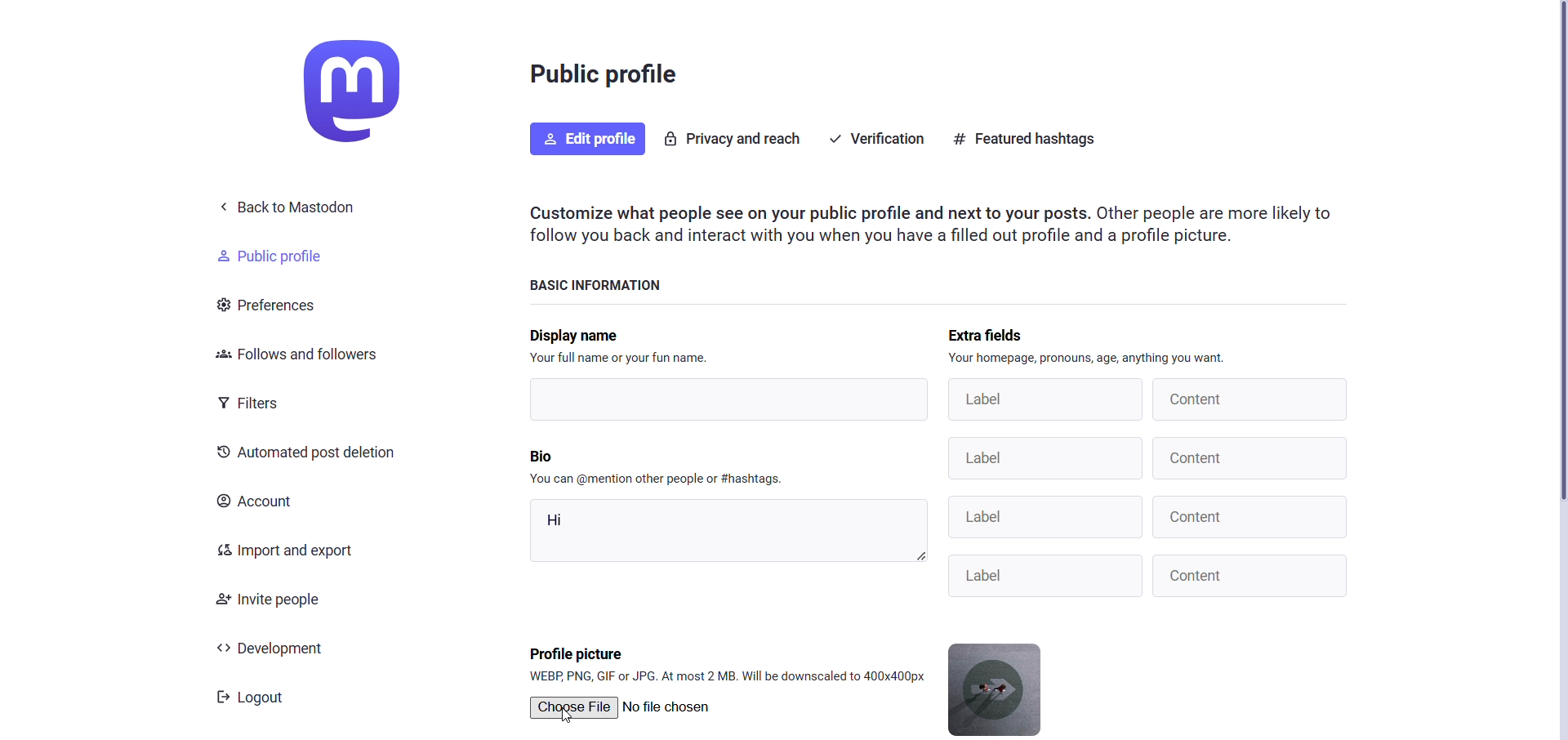 Image resolution: width=1568 pixels, height=740 pixels. I want to click on back to mastodon, so click(283, 208).